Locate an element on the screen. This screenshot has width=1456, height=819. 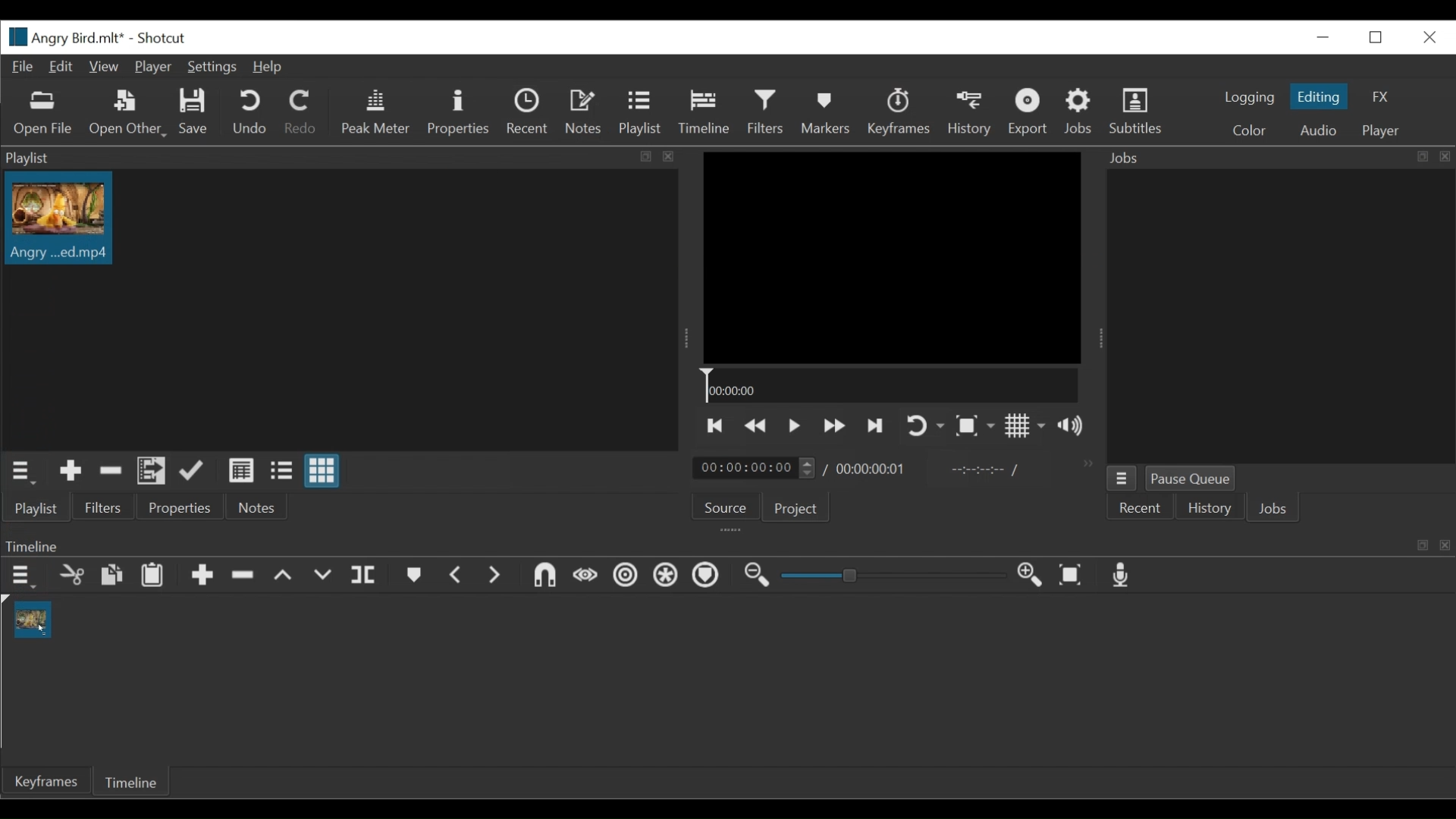
Jobs is located at coordinates (1276, 156).